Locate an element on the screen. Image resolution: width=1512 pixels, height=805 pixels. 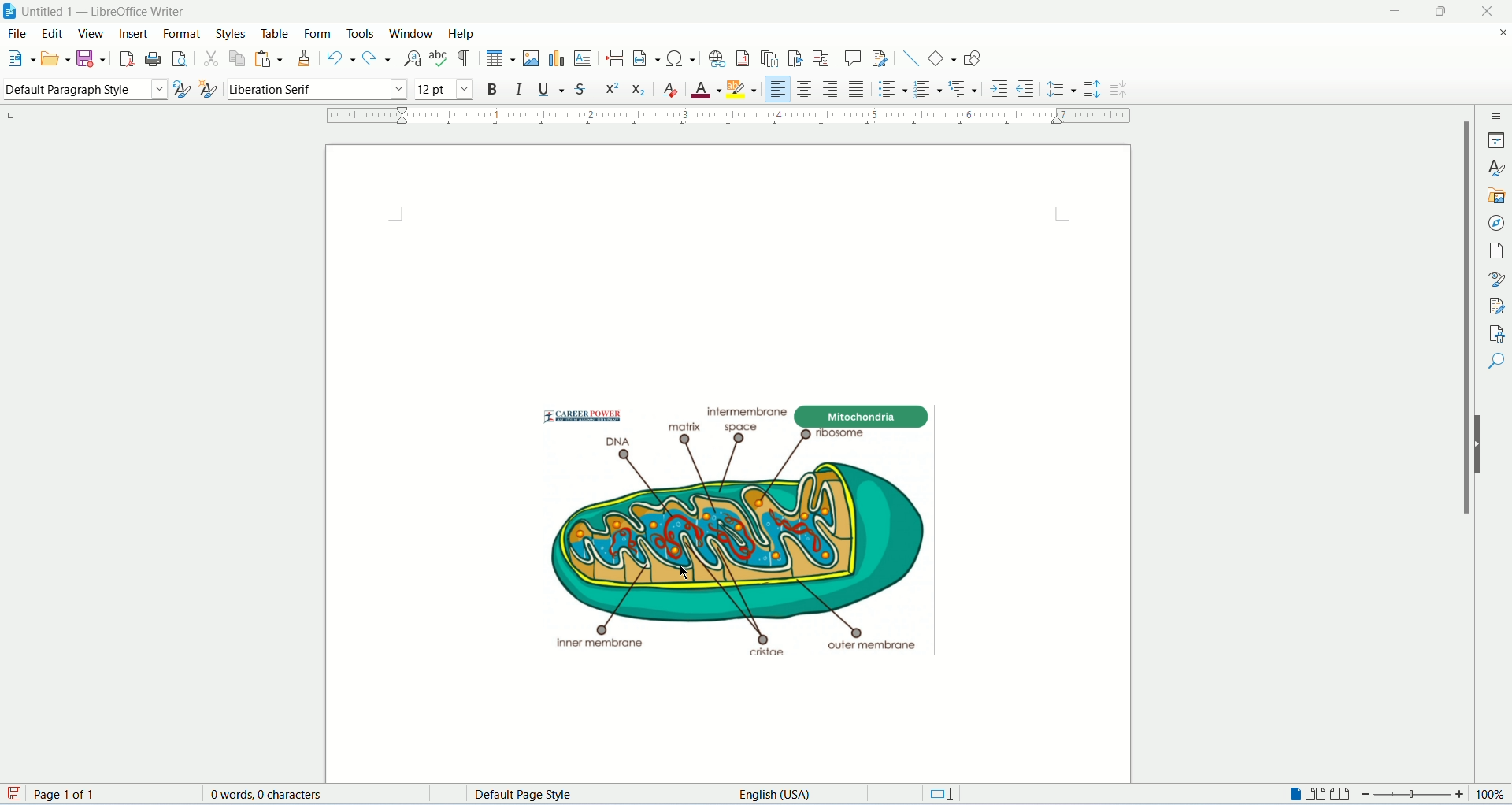
new is located at coordinates (19, 57).